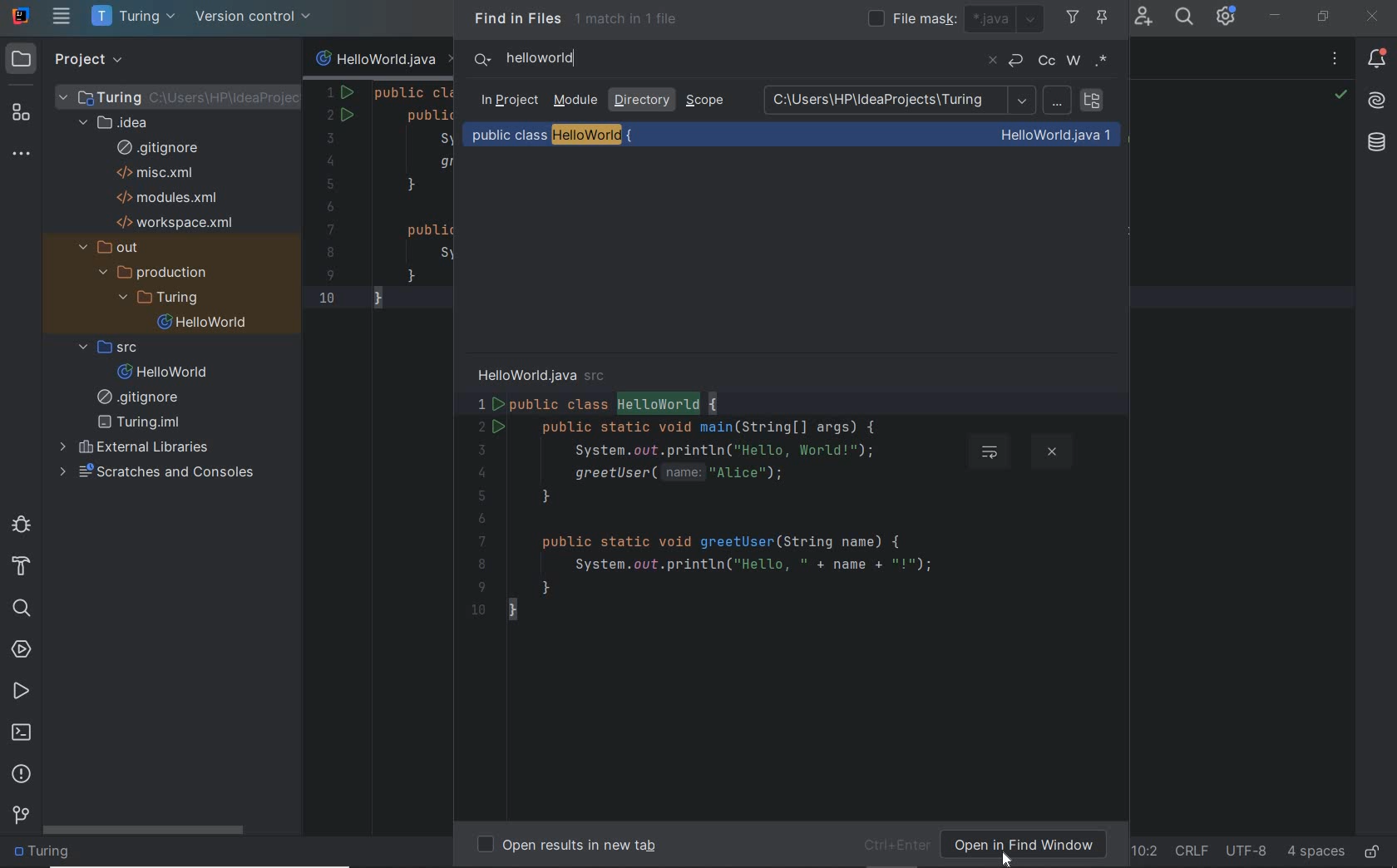  I want to click on misc.xml, so click(160, 172).